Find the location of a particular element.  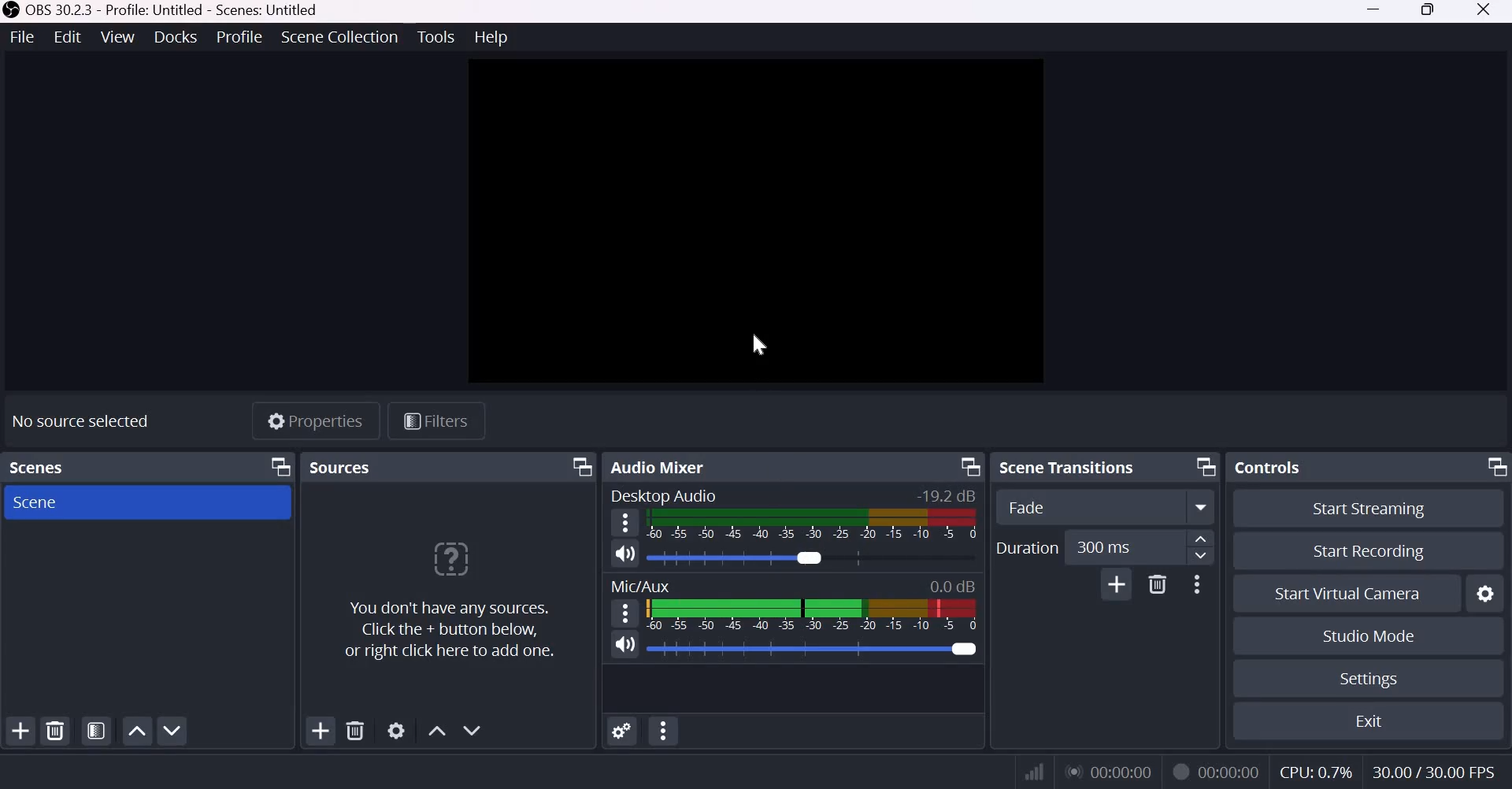

Close is located at coordinates (1488, 12).